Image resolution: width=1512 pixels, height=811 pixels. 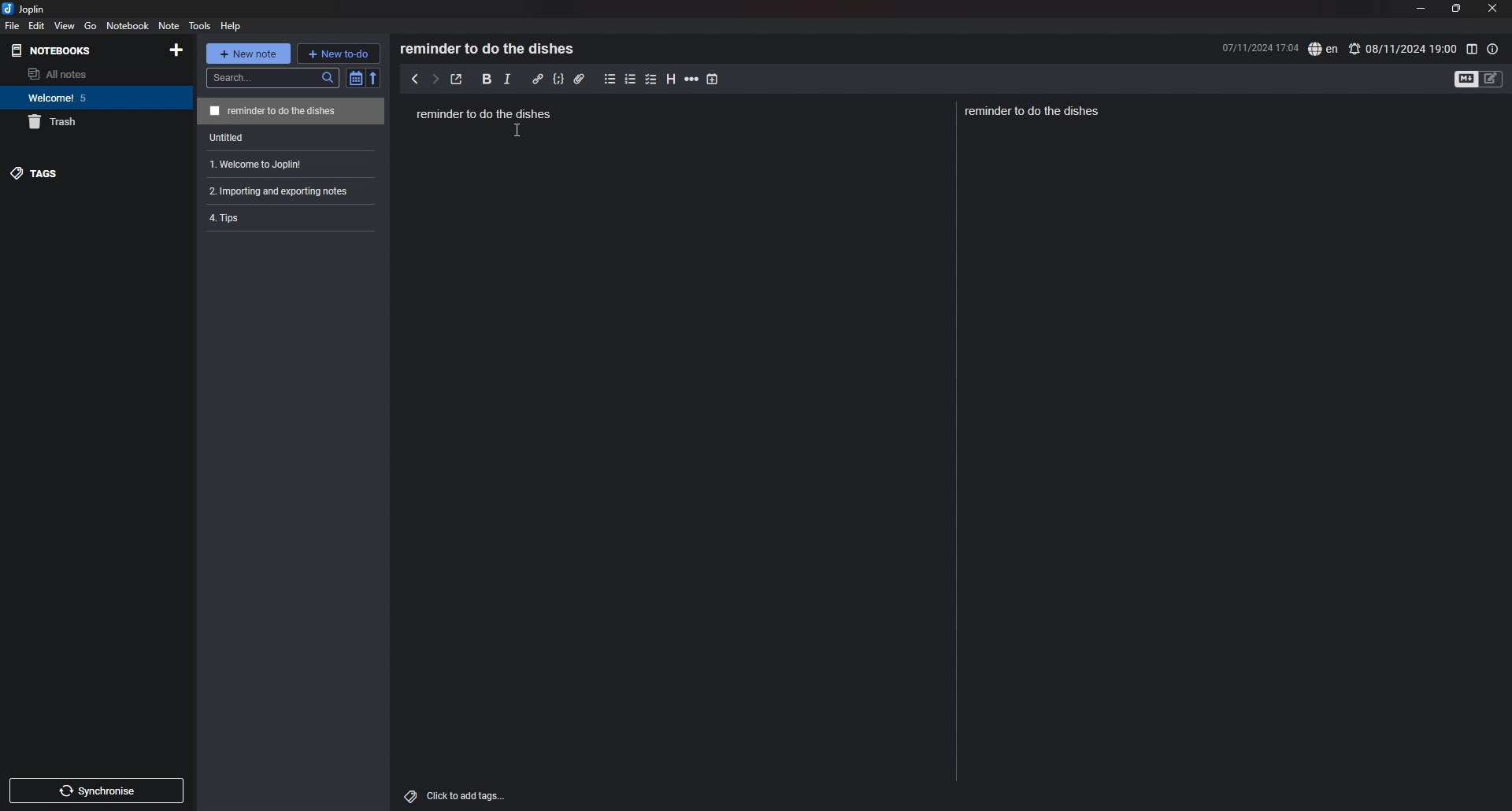 I want to click on add notebook, so click(x=178, y=50).